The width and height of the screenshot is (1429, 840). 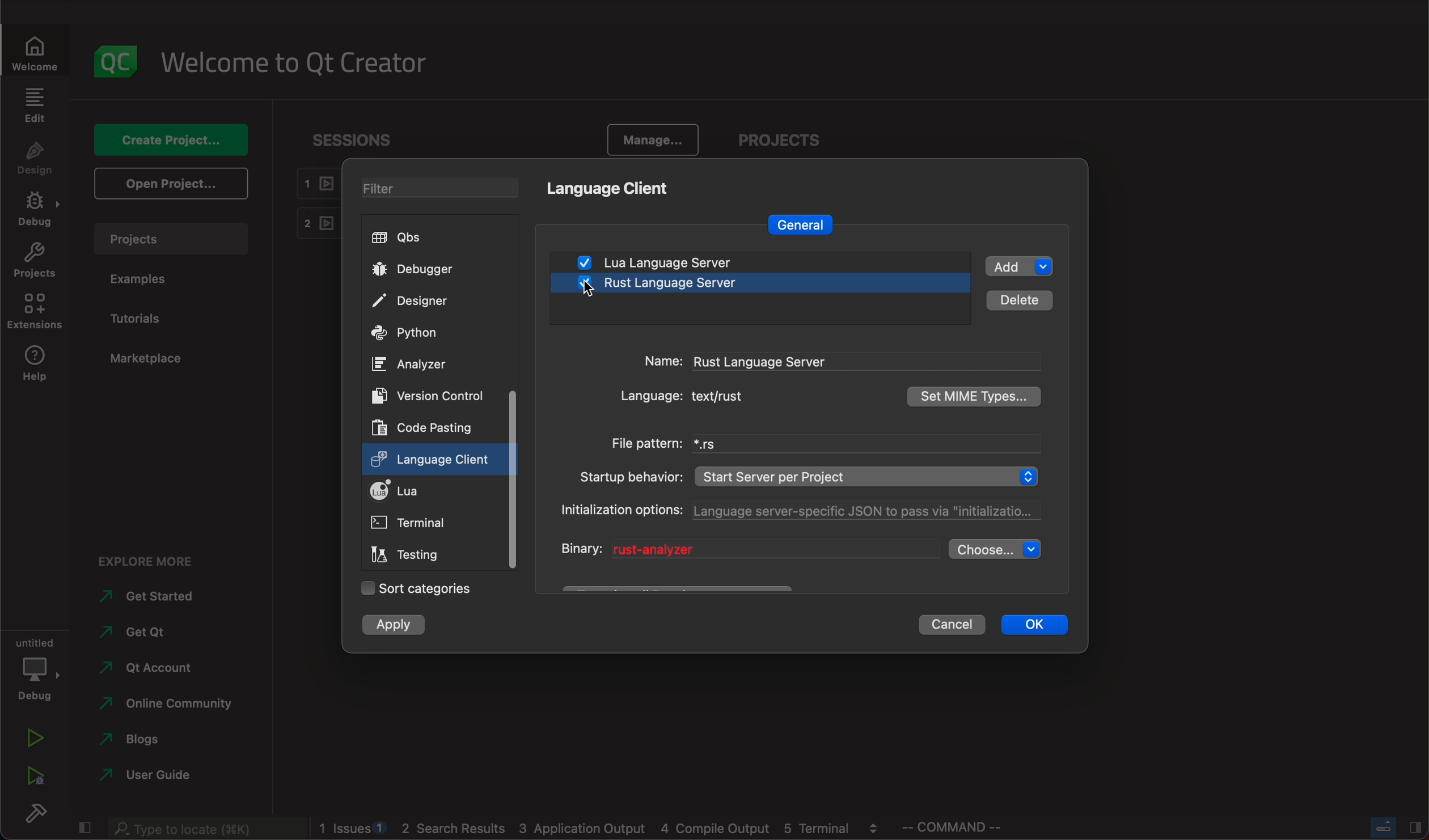 What do you see at coordinates (691, 262) in the screenshot?
I see `lua` at bounding box center [691, 262].